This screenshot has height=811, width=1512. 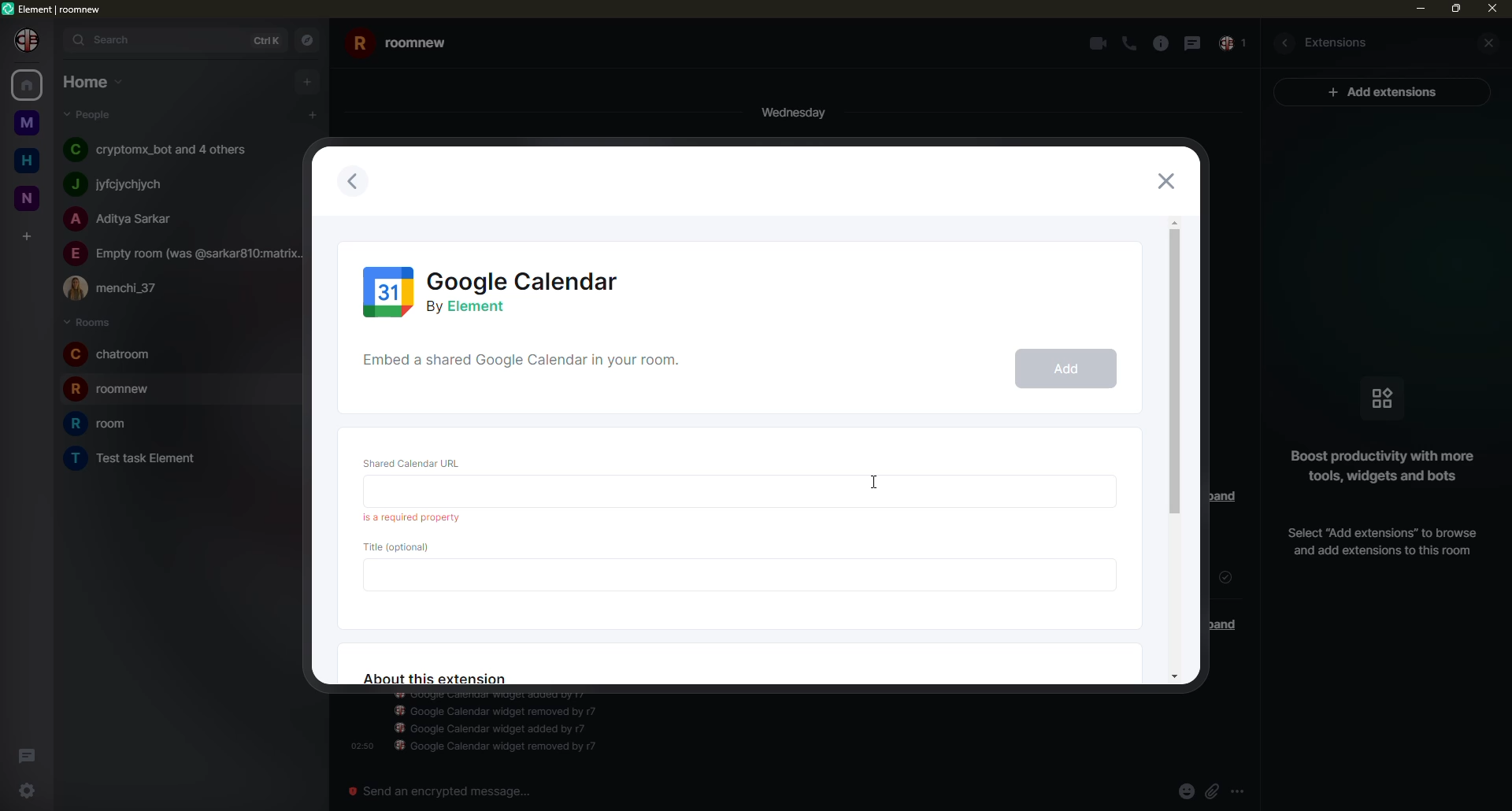 What do you see at coordinates (25, 753) in the screenshot?
I see `threads` at bounding box center [25, 753].